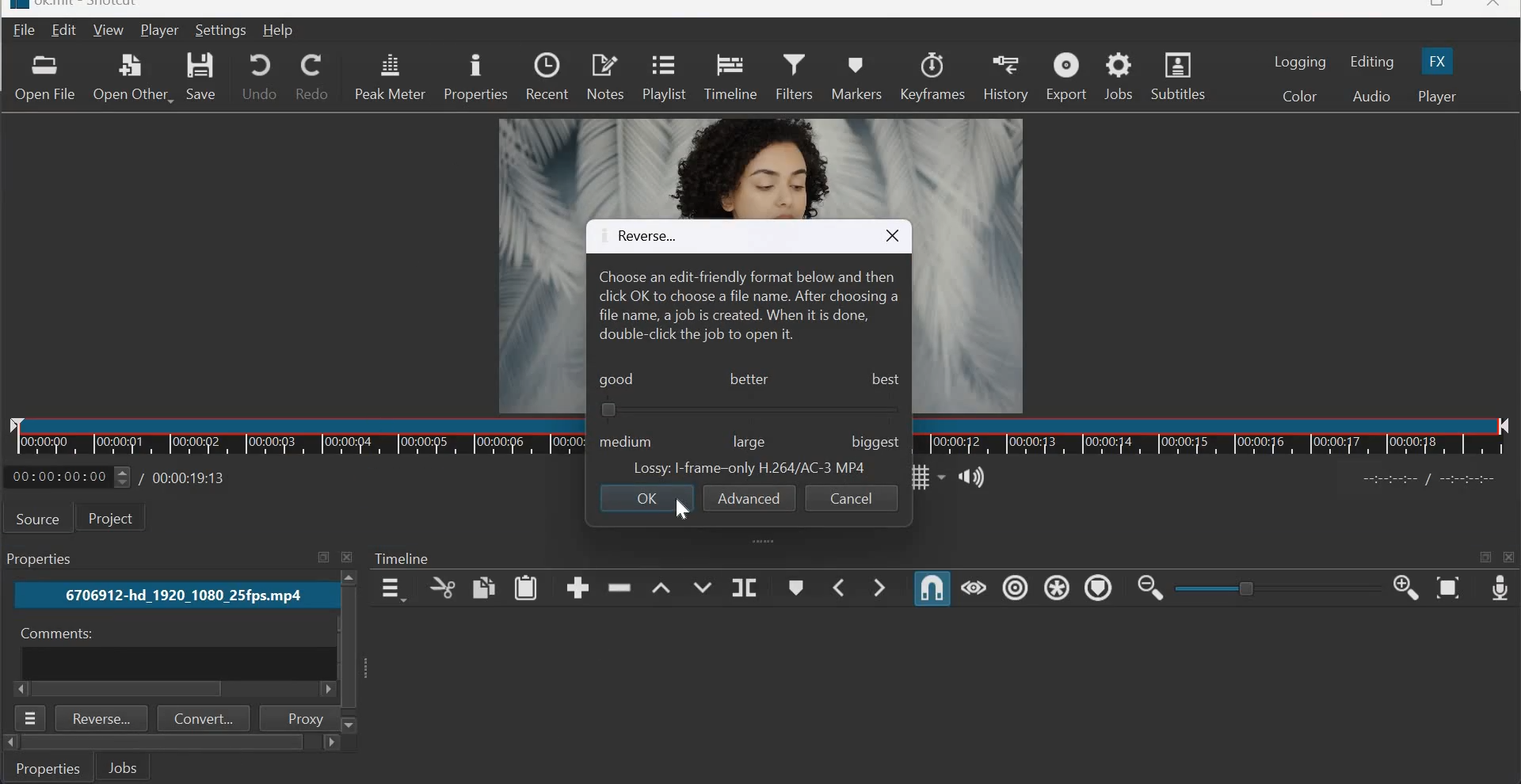 This screenshot has width=1521, height=784. What do you see at coordinates (1510, 558) in the screenshot?
I see `close` at bounding box center [1510, 558].